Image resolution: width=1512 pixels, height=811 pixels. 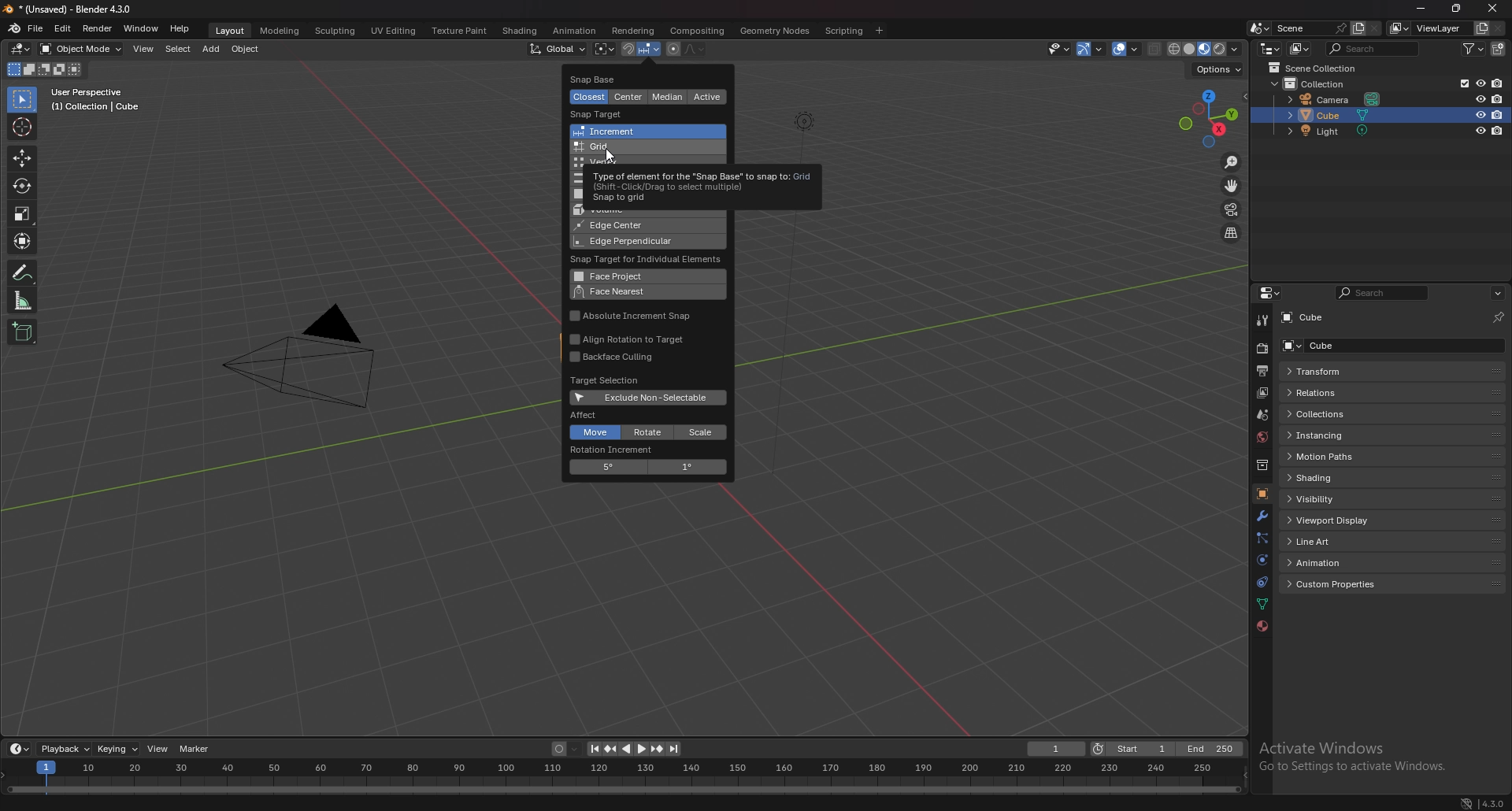 I want to click on network, so click(x=1466, y=802).